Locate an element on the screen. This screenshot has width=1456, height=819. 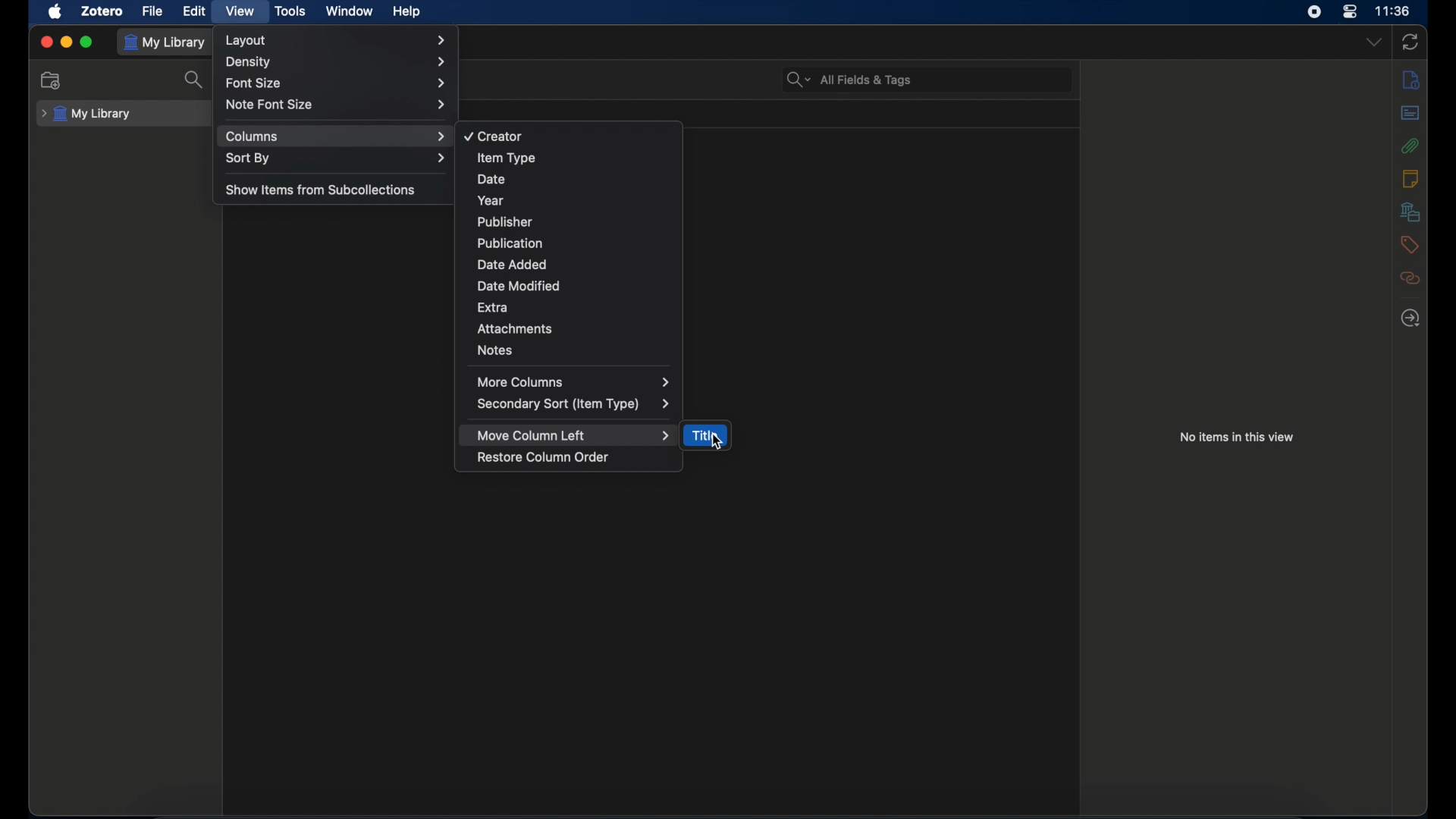
sort by is located at coordinates (336, 158).